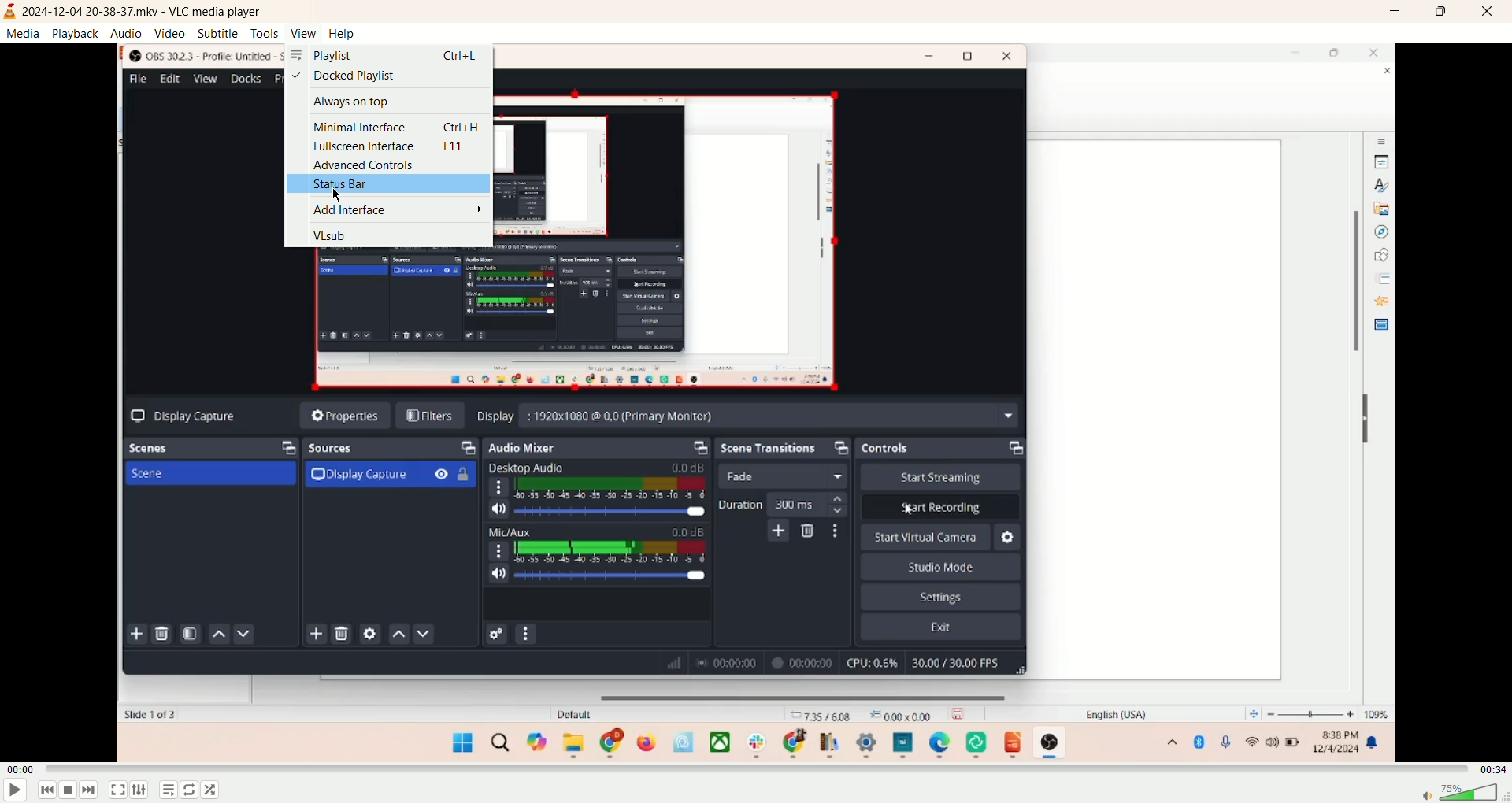 The height and width of the screenshot is (803, 1512). What do you see at coordinates (216, 789) in the screenshot?
I see `shuffle` at bounding box center [216, 789].